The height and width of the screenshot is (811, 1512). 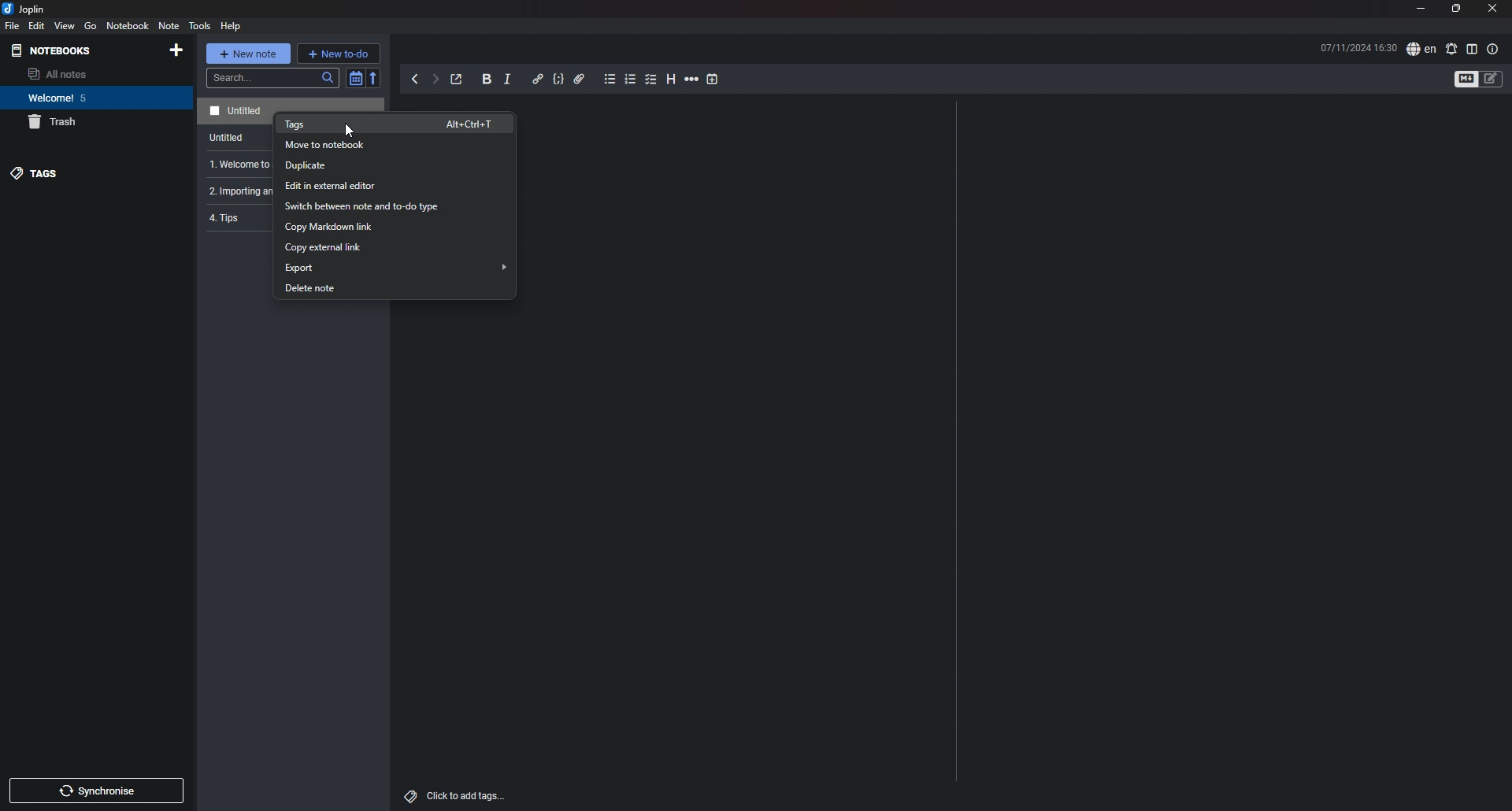 I want to click on new todo, so click(x=339, y=53).